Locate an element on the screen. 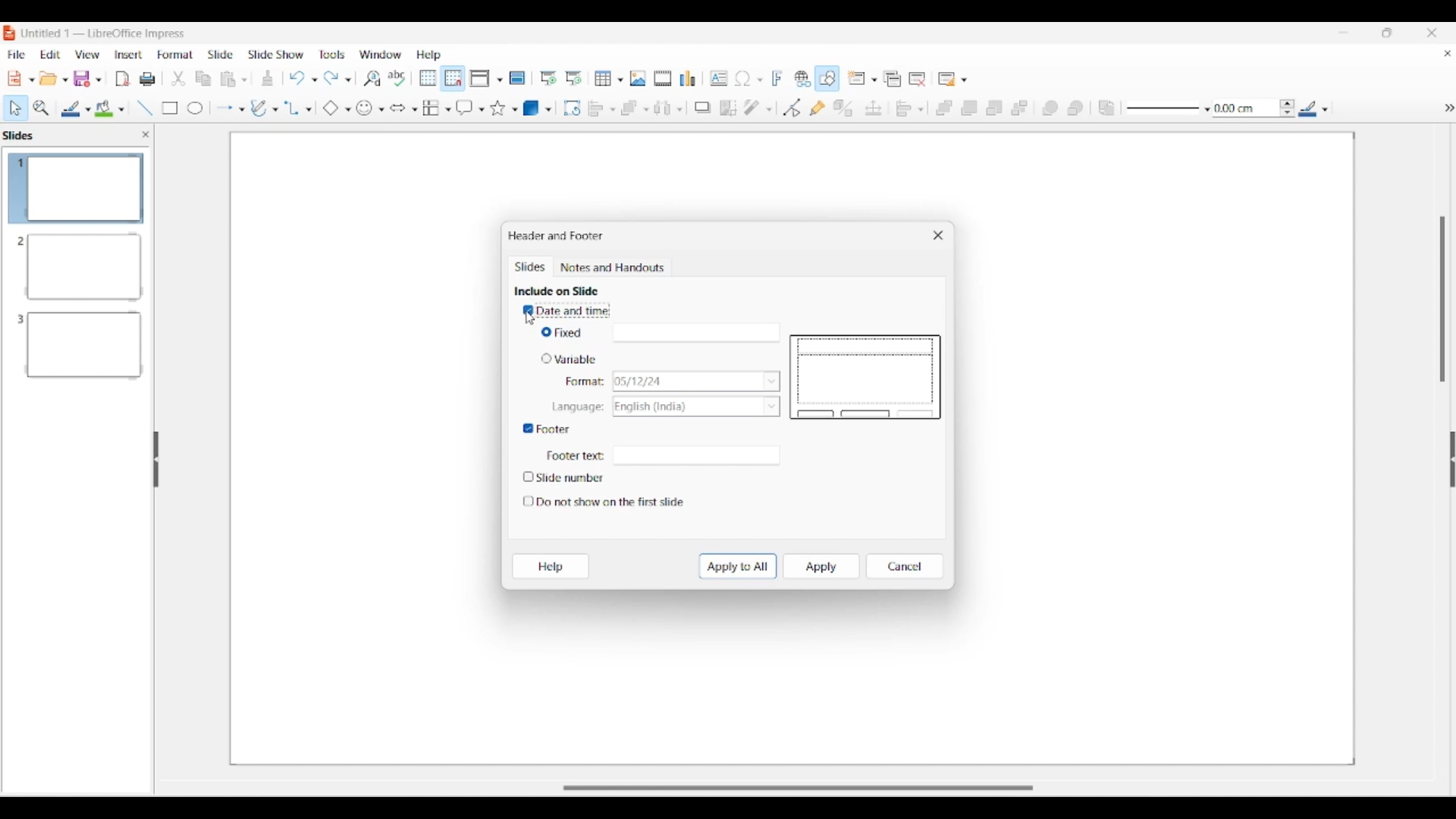 The height and width of the screenshot is (819, 1456). Insert hyperlink is located at coordinates (803, 78).